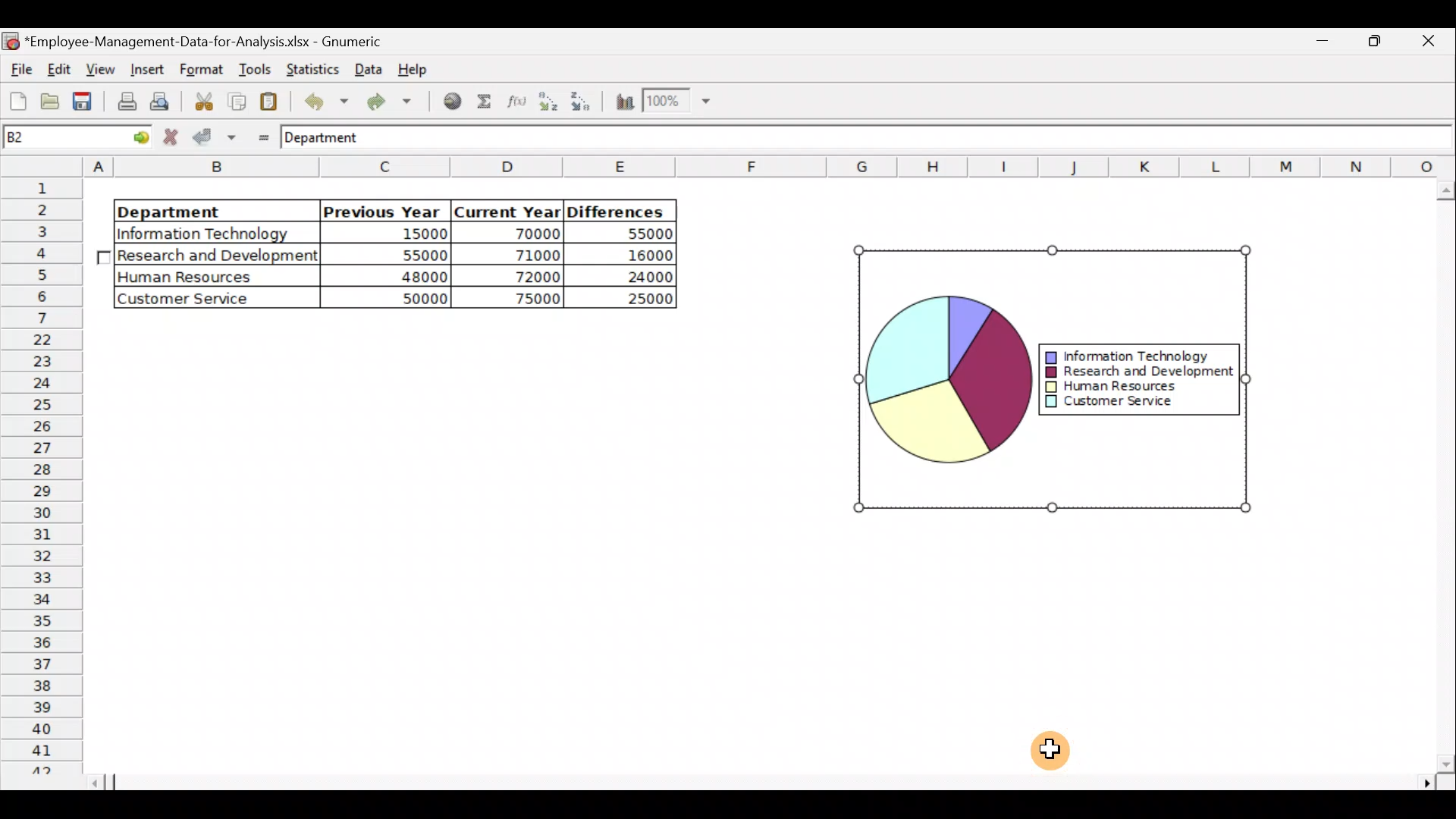 The height and width of the screenshot is (819, 1456). What do you see at coordinates (215, 137) in the screenshot?
I see `Accept change` at bounding box center [215, 137].